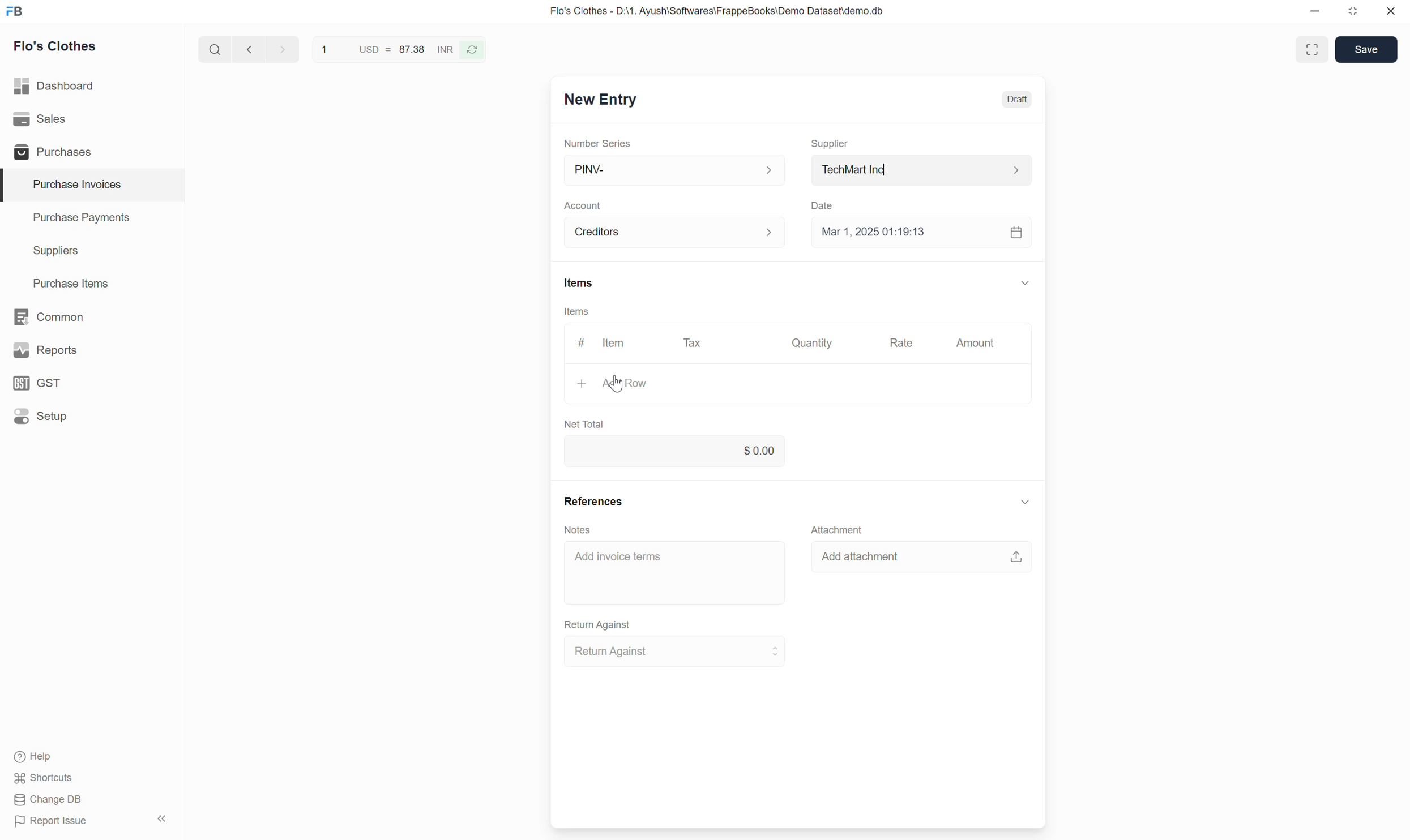 Image resolution: width=1410 pixels, height=840 pixels. Describe the element at coordinates (677, 451) in the screenshot. I see `0.00` at that location.